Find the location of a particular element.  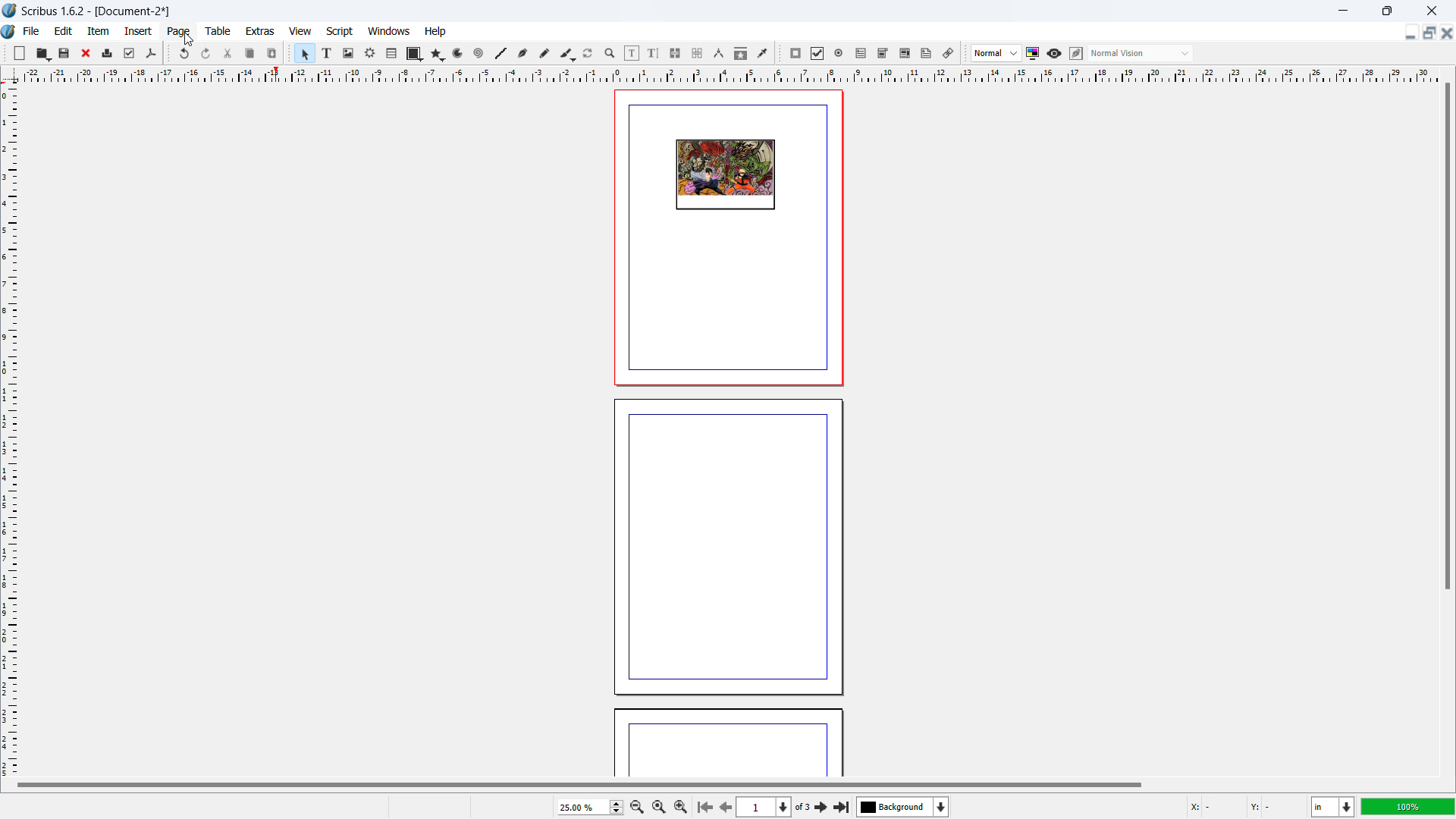

cursor coordinate is located at coordinates (1243, 805).